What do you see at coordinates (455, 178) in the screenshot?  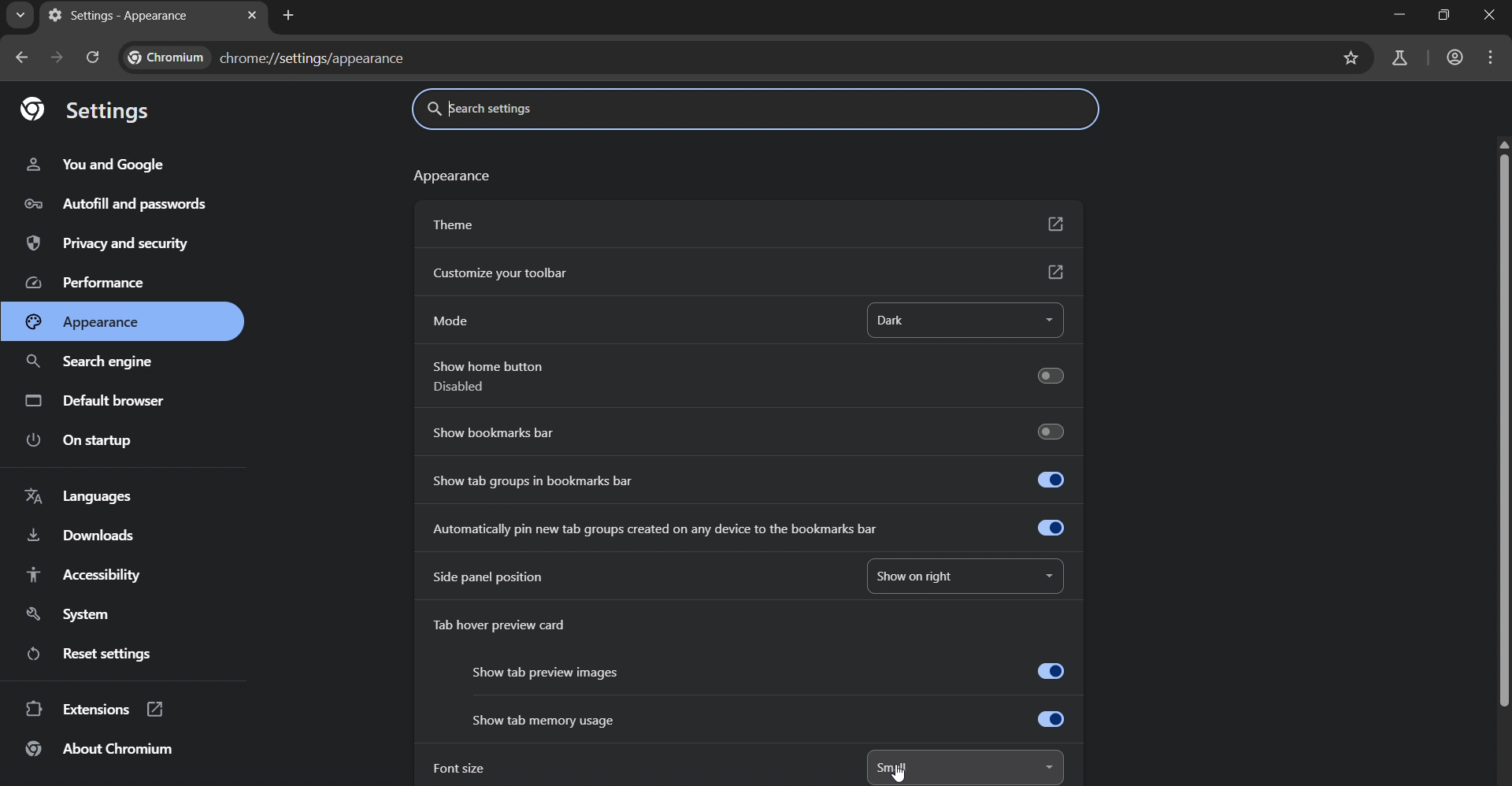 I see `text` at bounding box center [455, 178].